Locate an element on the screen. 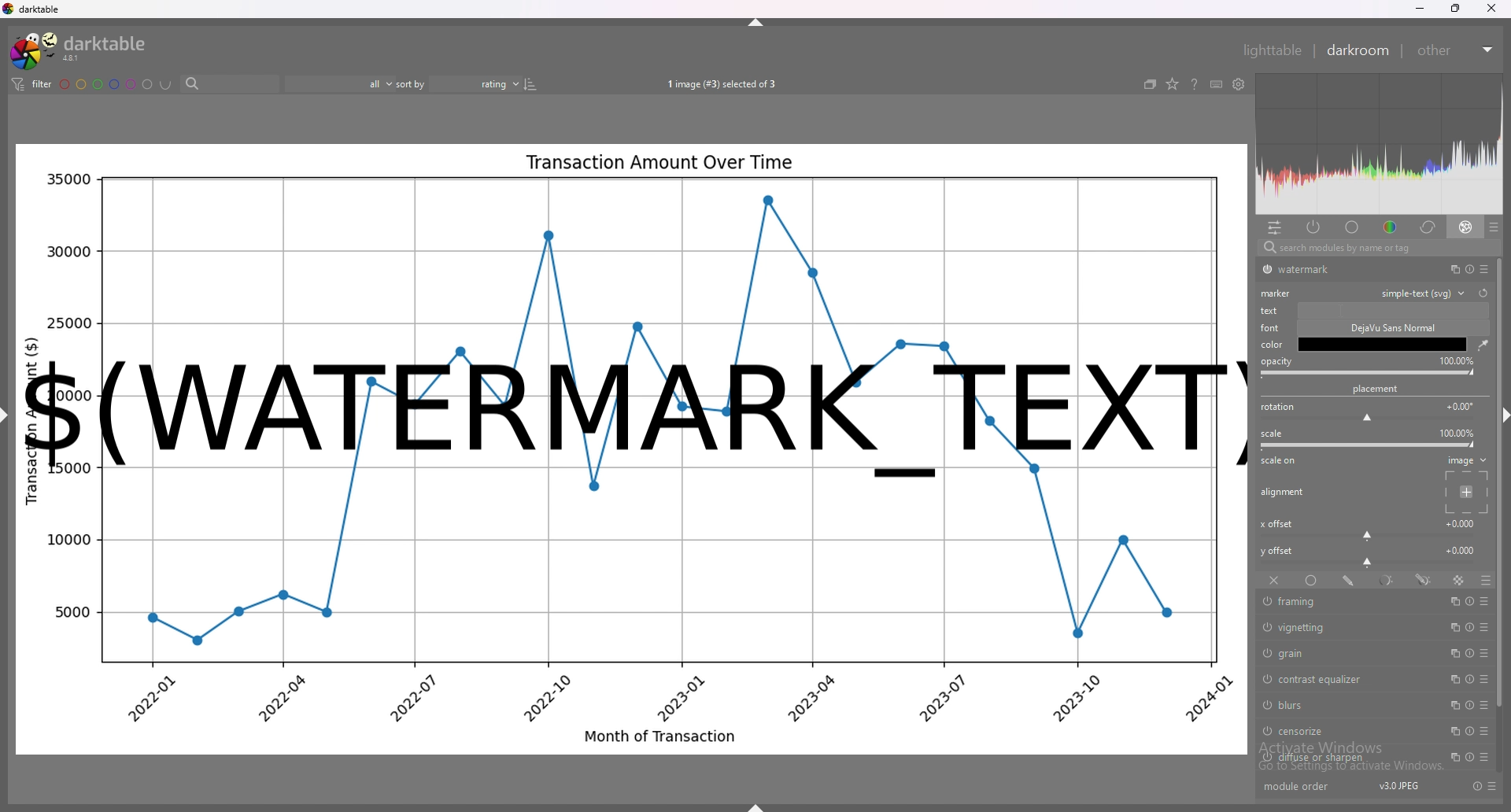  roation is located at coordinates (1277, 408).